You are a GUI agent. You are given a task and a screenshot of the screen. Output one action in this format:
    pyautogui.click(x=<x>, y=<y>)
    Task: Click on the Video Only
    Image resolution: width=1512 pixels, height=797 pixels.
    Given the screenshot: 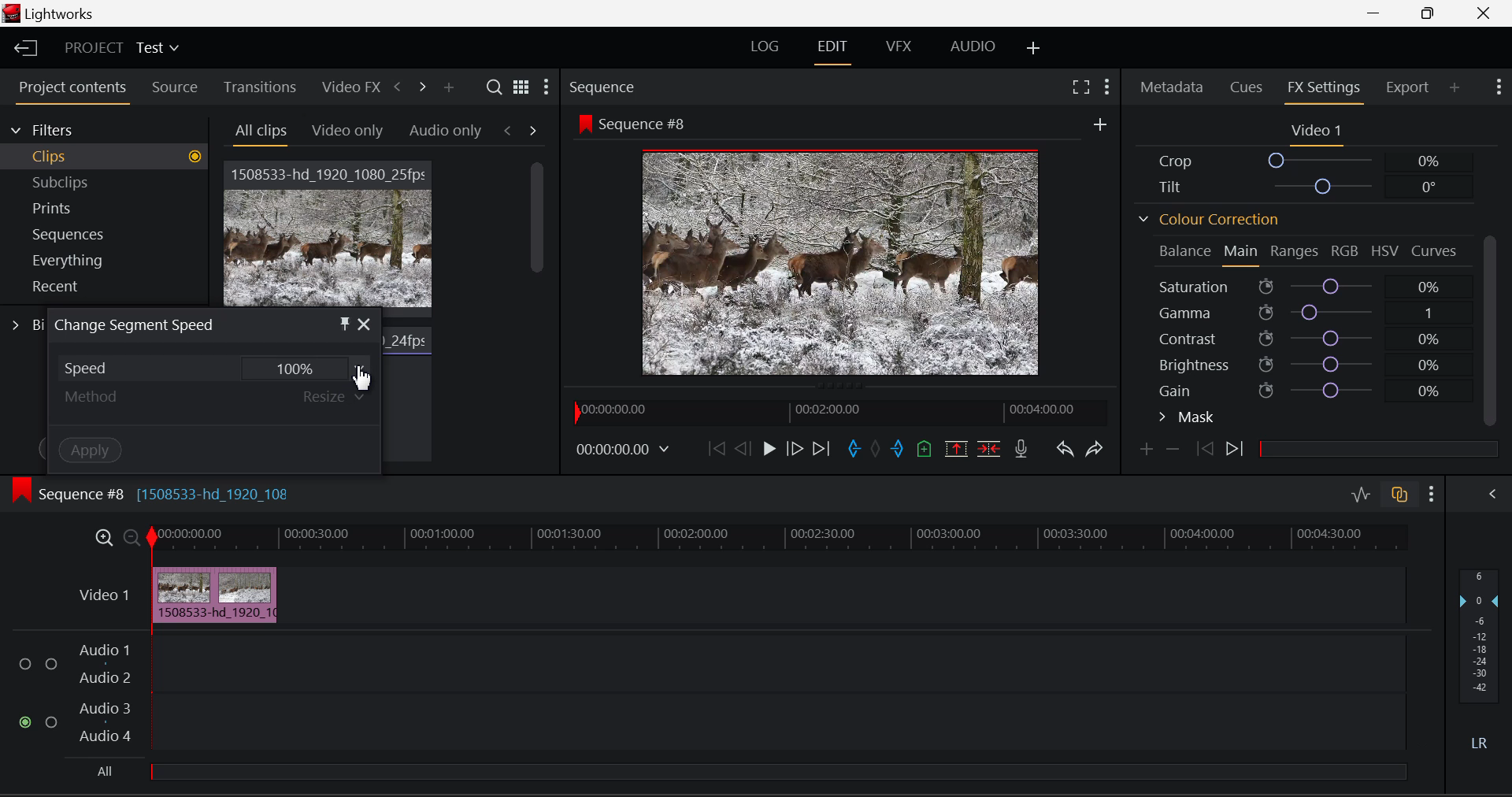 What is the action you would take?
    pyautogui.click(x=345, y=128)
    